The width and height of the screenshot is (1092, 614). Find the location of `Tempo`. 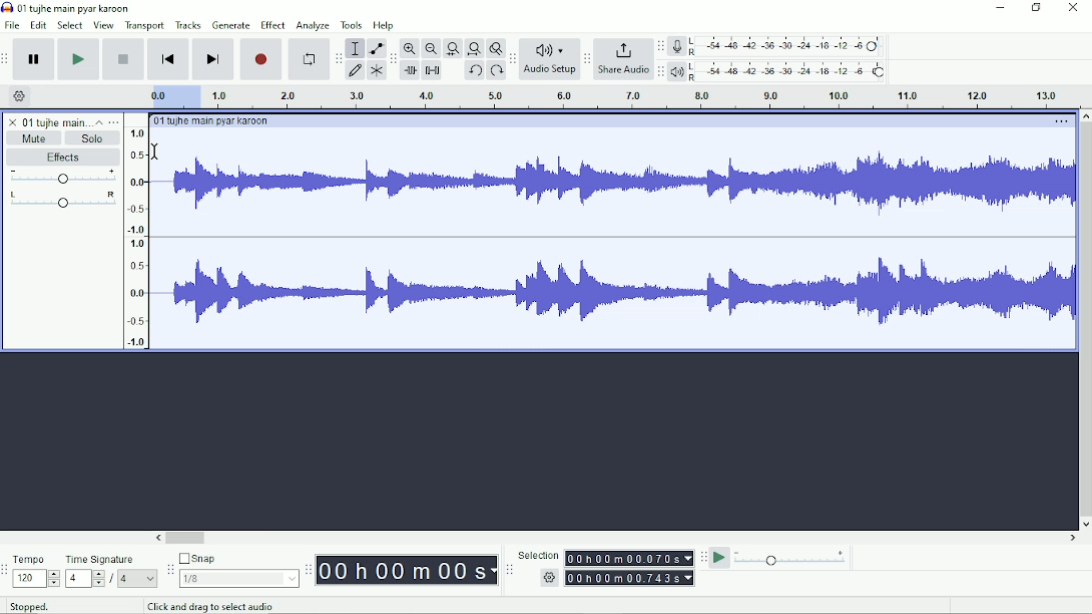

Tempo is located at coordinates (36, 559).